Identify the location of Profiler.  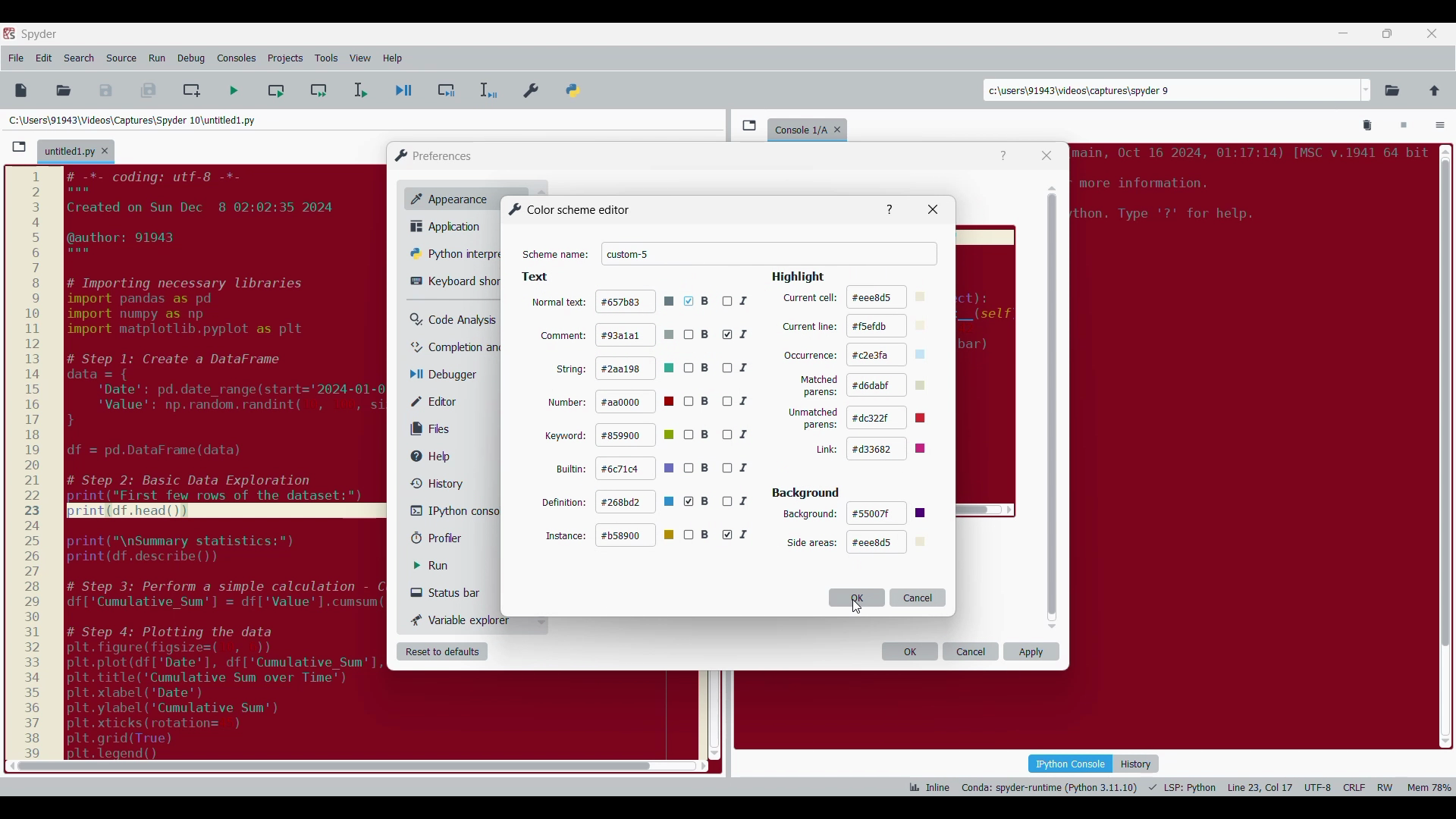
(450, 538).